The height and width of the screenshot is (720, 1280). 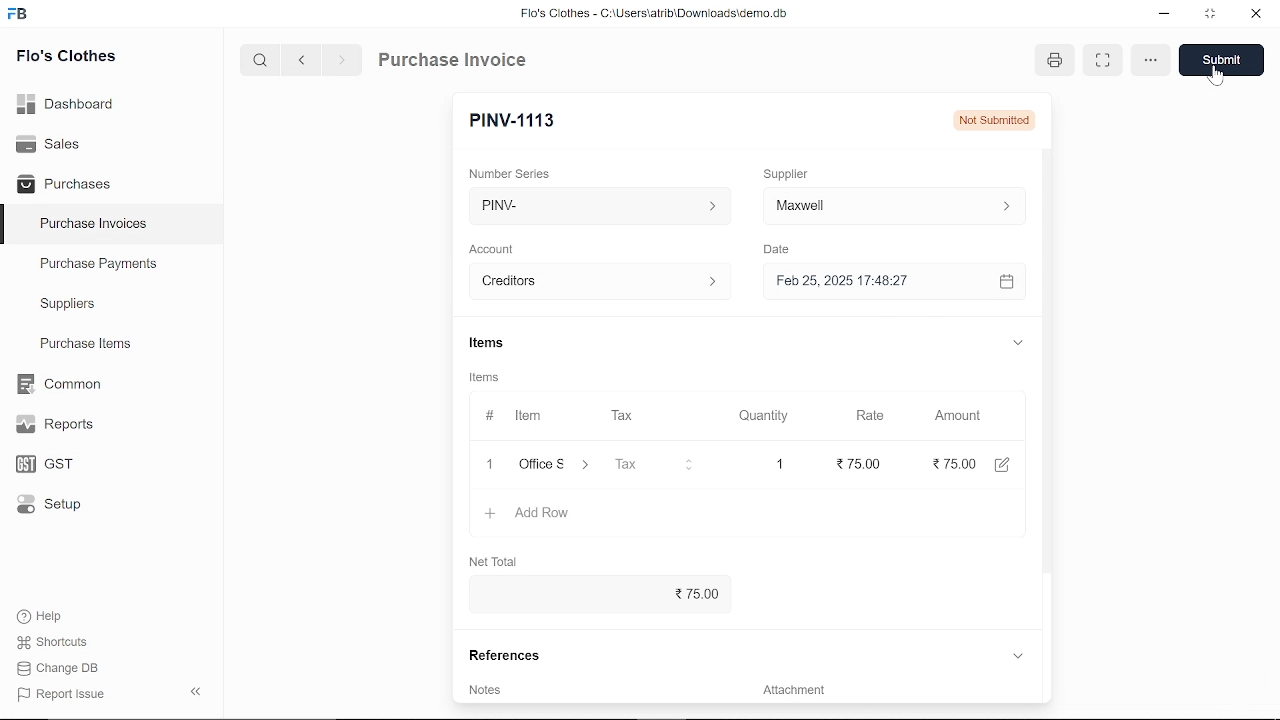 I want to click on Office supplies, so click(x=557, y=465).